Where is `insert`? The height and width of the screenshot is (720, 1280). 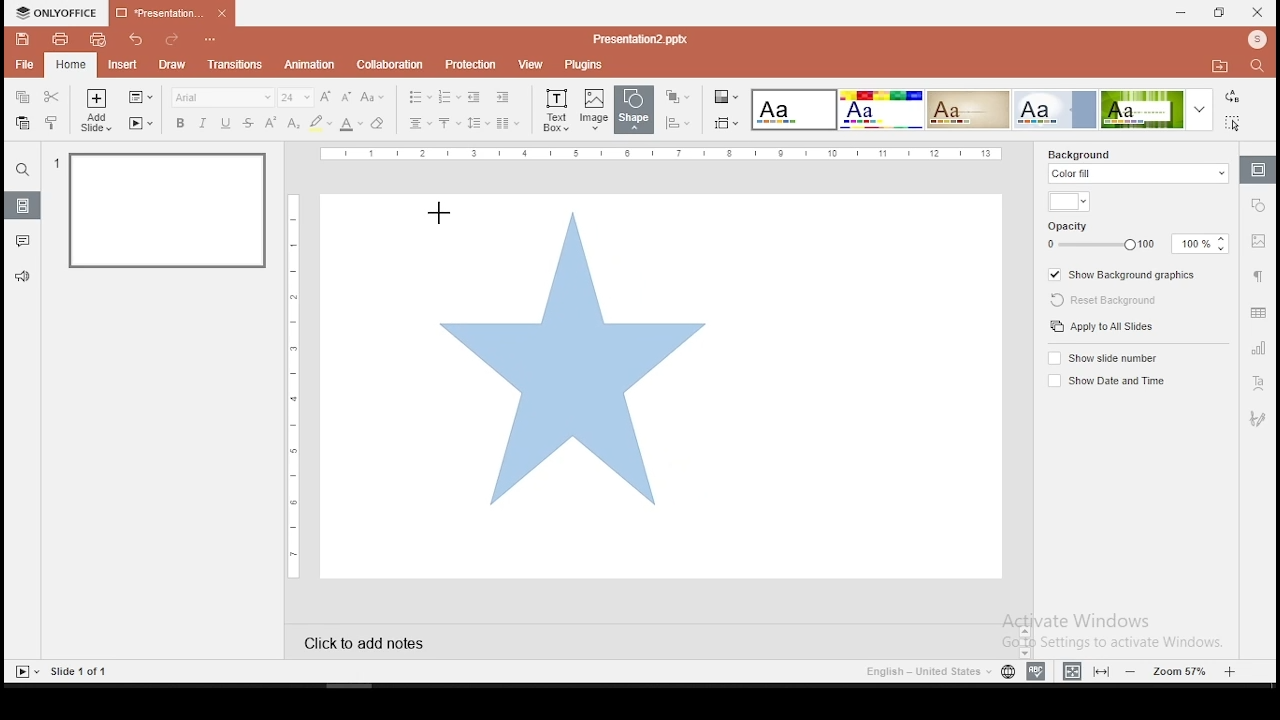 insert is located at coordinates (121, 63).